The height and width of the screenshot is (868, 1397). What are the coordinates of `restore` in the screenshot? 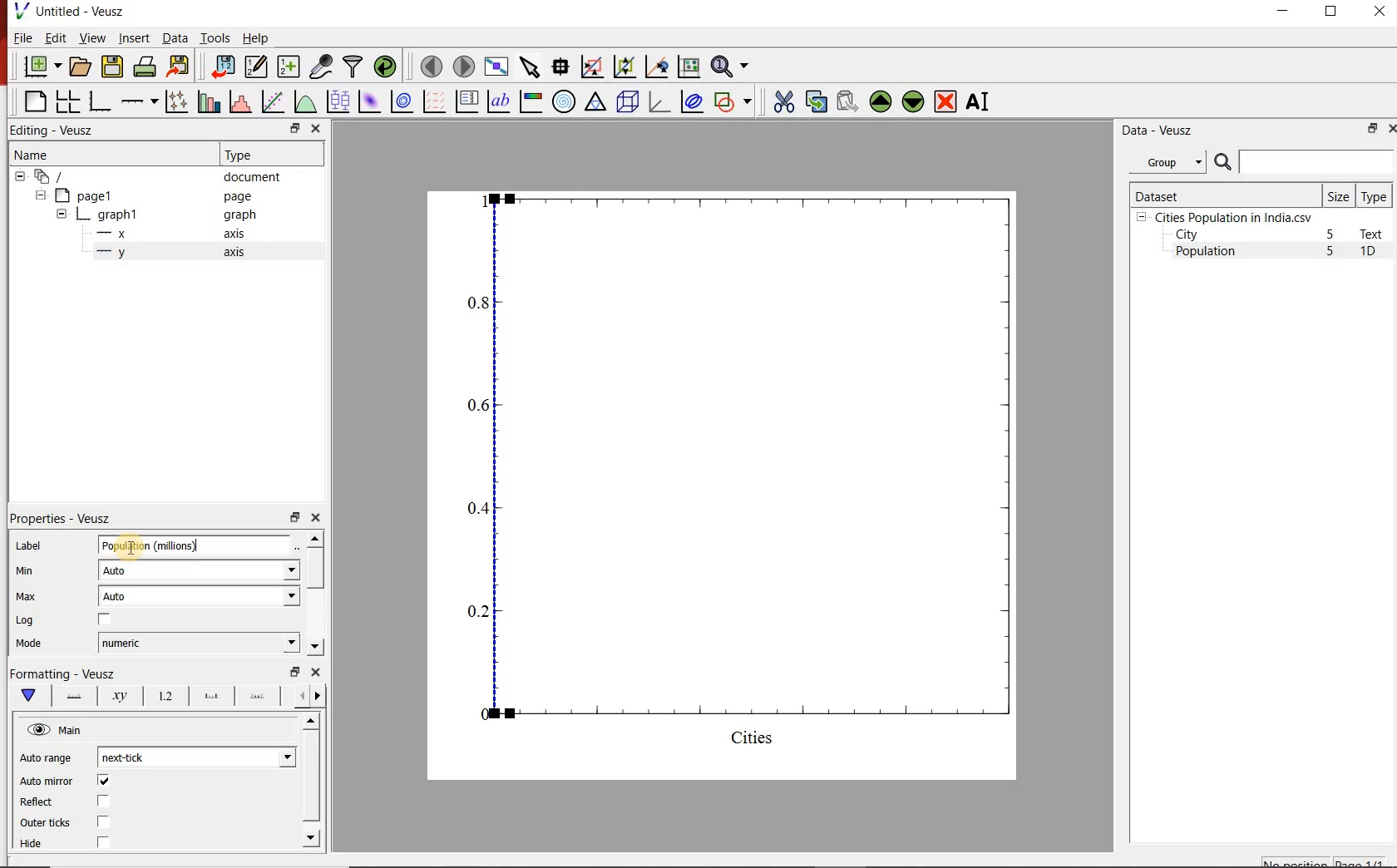 It's located at (294, 128).